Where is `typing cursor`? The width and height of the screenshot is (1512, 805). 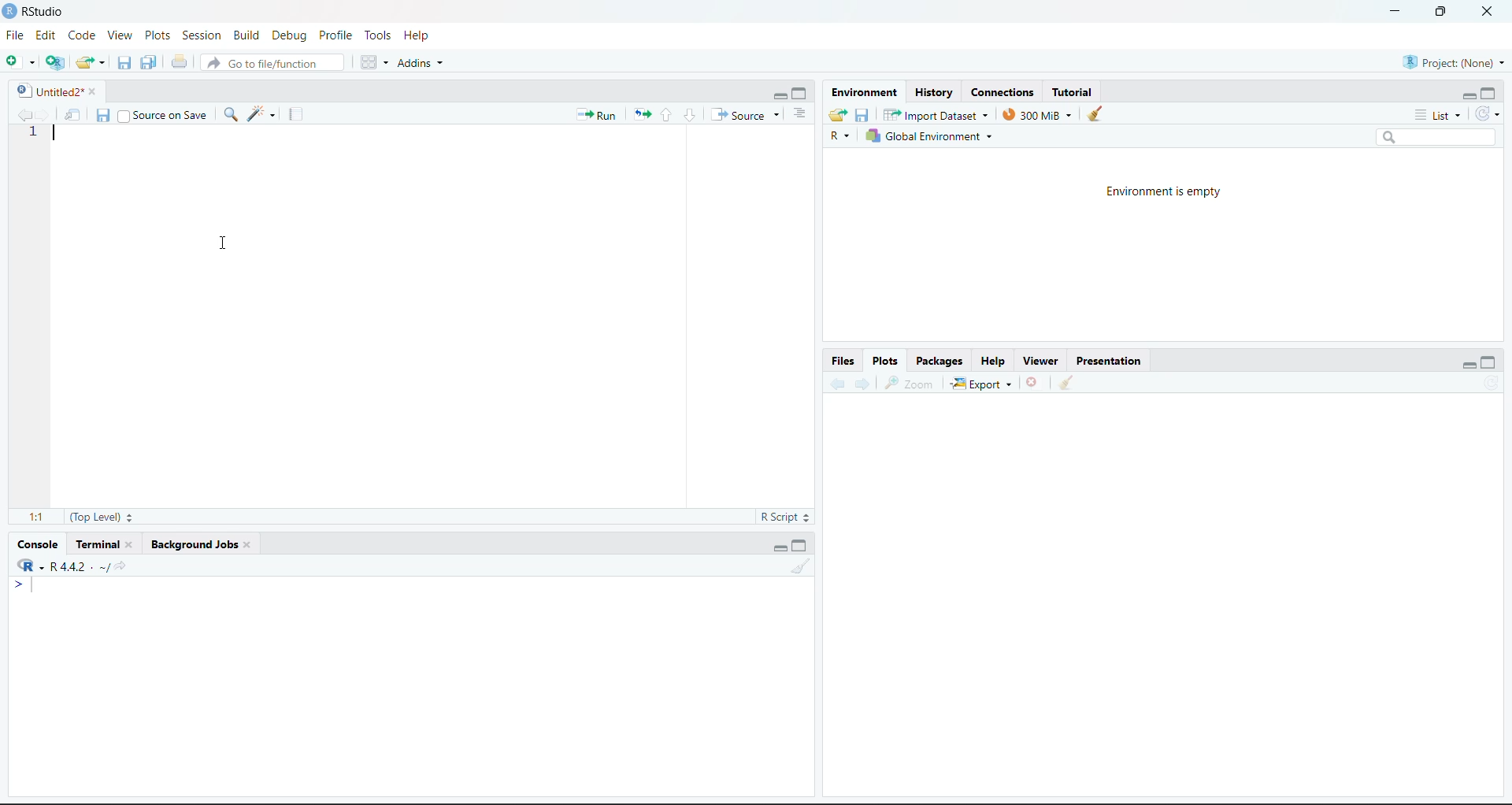 typing cursor is located at coordinates (59, 137).